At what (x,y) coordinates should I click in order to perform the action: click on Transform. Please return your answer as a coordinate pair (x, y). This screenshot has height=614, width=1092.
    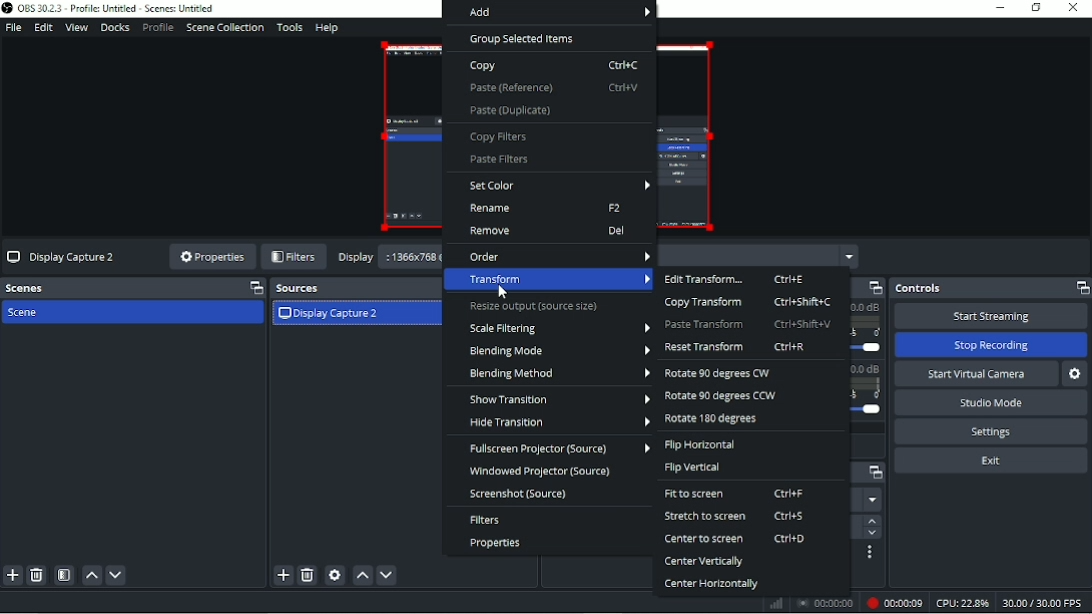
    Looking at the image, I should click on (552, 280).